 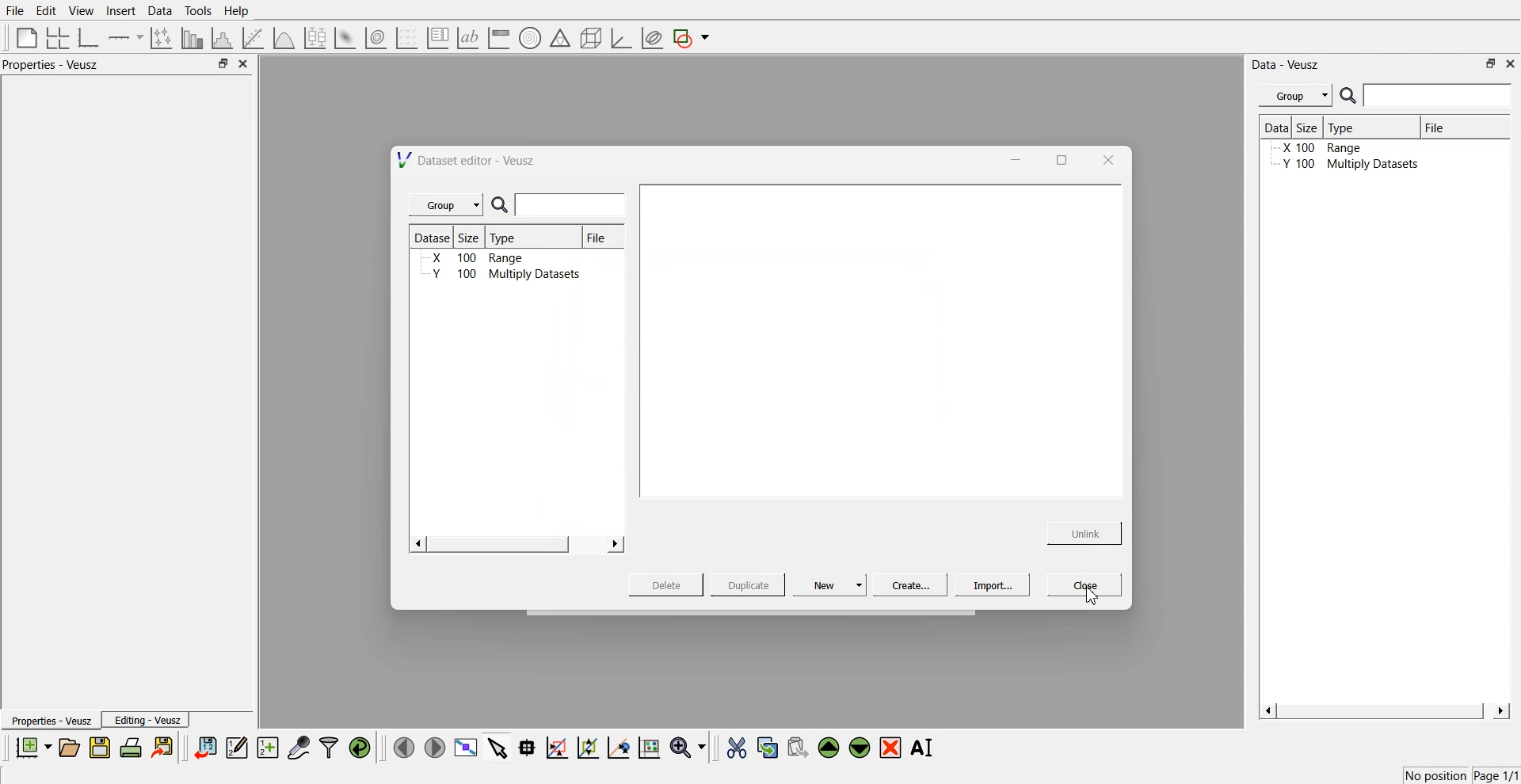 I want to click on Close, so click(x=1085, y=584).